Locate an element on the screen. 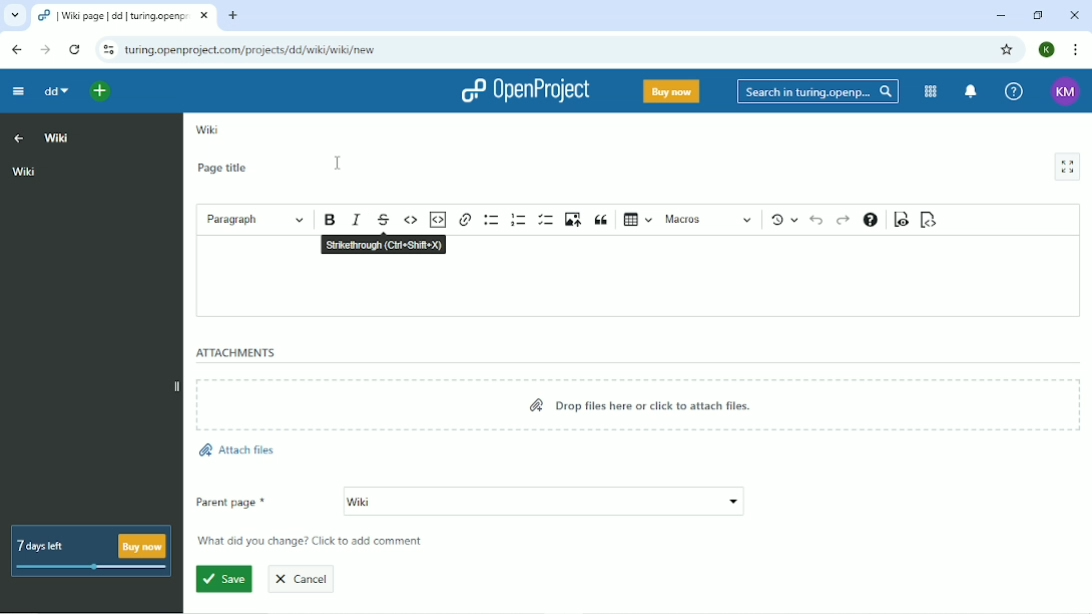 The width and height of the screenshot is (1092, 614). Numbered list is located at coordinates (519, 220).